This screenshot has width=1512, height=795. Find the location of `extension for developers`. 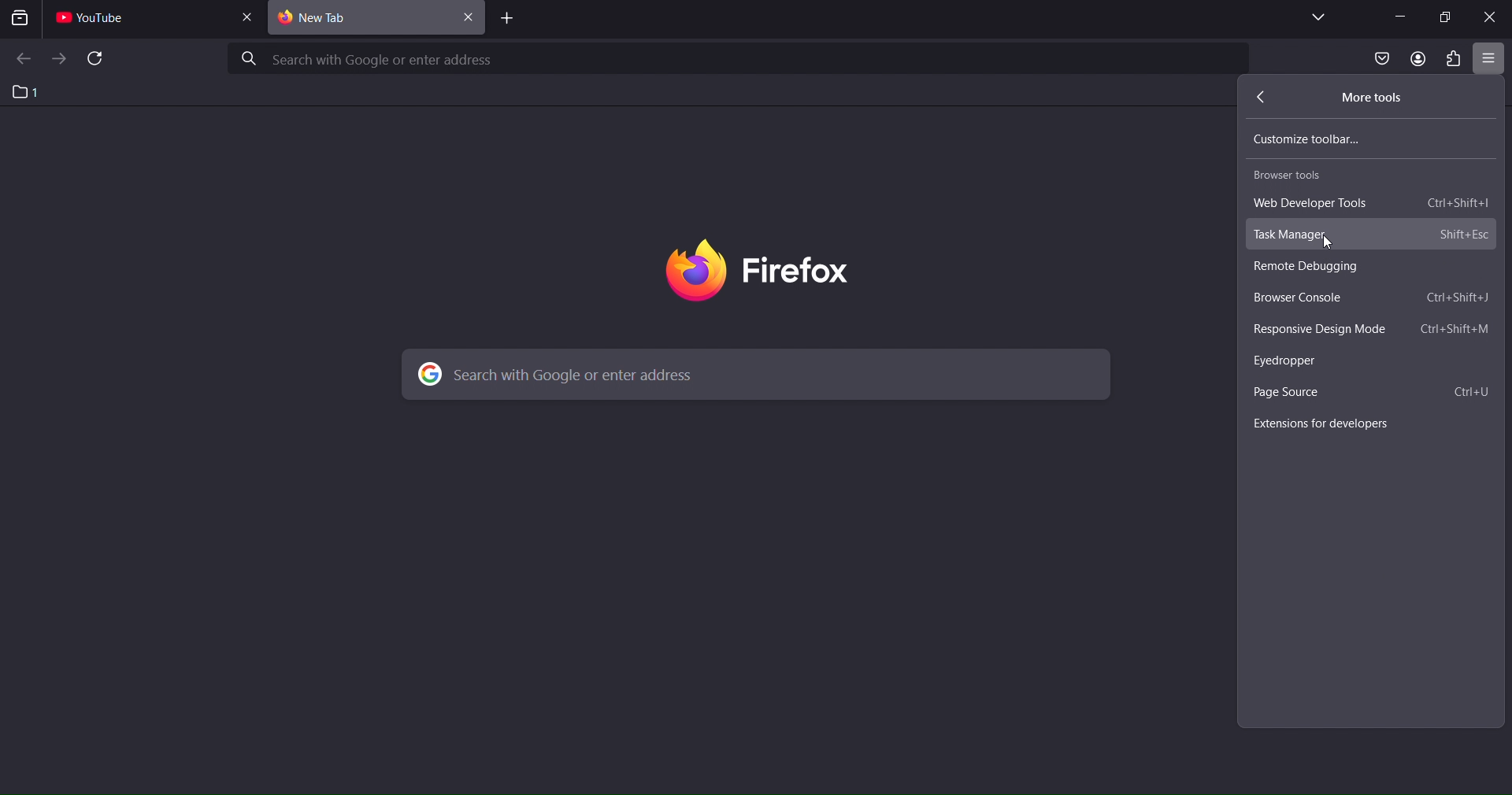

extension for developers is located at coordinates (1336, 421).